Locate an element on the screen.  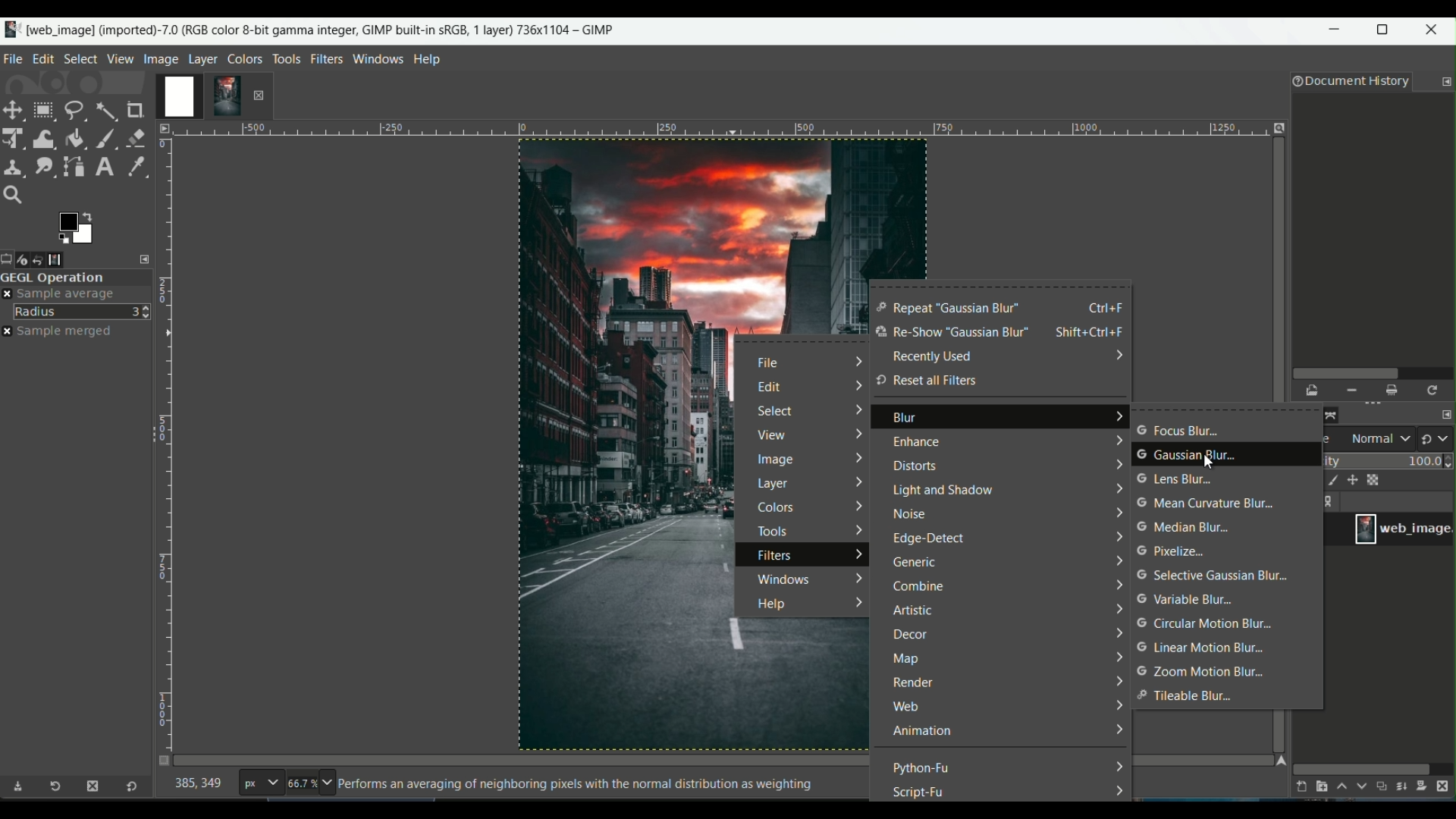
edit tab is located at coordinates (43, 58).